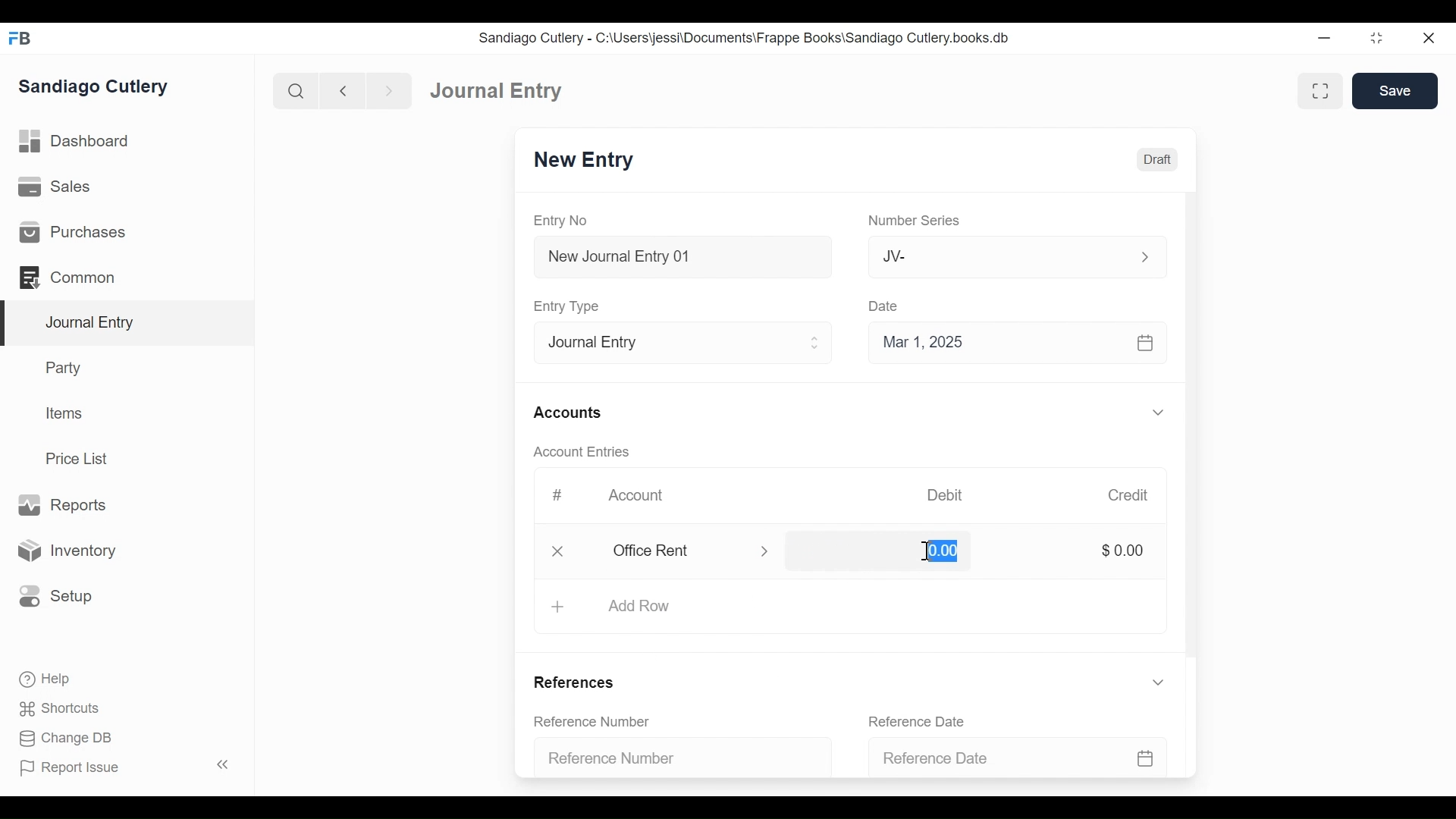 Image resolution: width=1456 pixels, height=819 pixels. Describe the element at coordinates (748, 37) in the screenshot. I see `Sandiago Cutlery - C:\Users\jessi\Documents\Frappe Books\Sandiago Cutlery.books.db` at that location.